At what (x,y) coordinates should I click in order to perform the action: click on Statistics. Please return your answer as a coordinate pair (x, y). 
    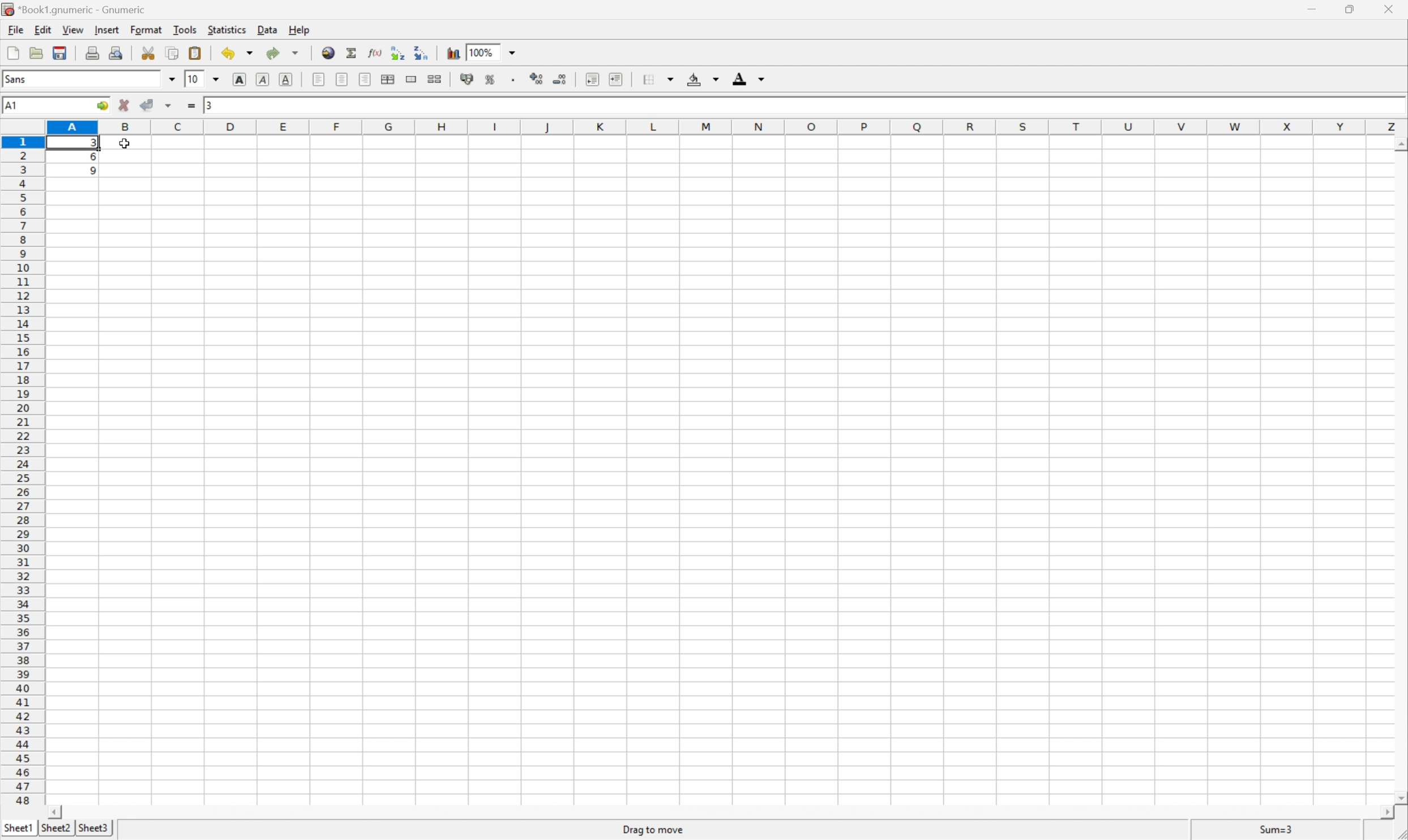
    Looking at the image, I should click on (227, 29).